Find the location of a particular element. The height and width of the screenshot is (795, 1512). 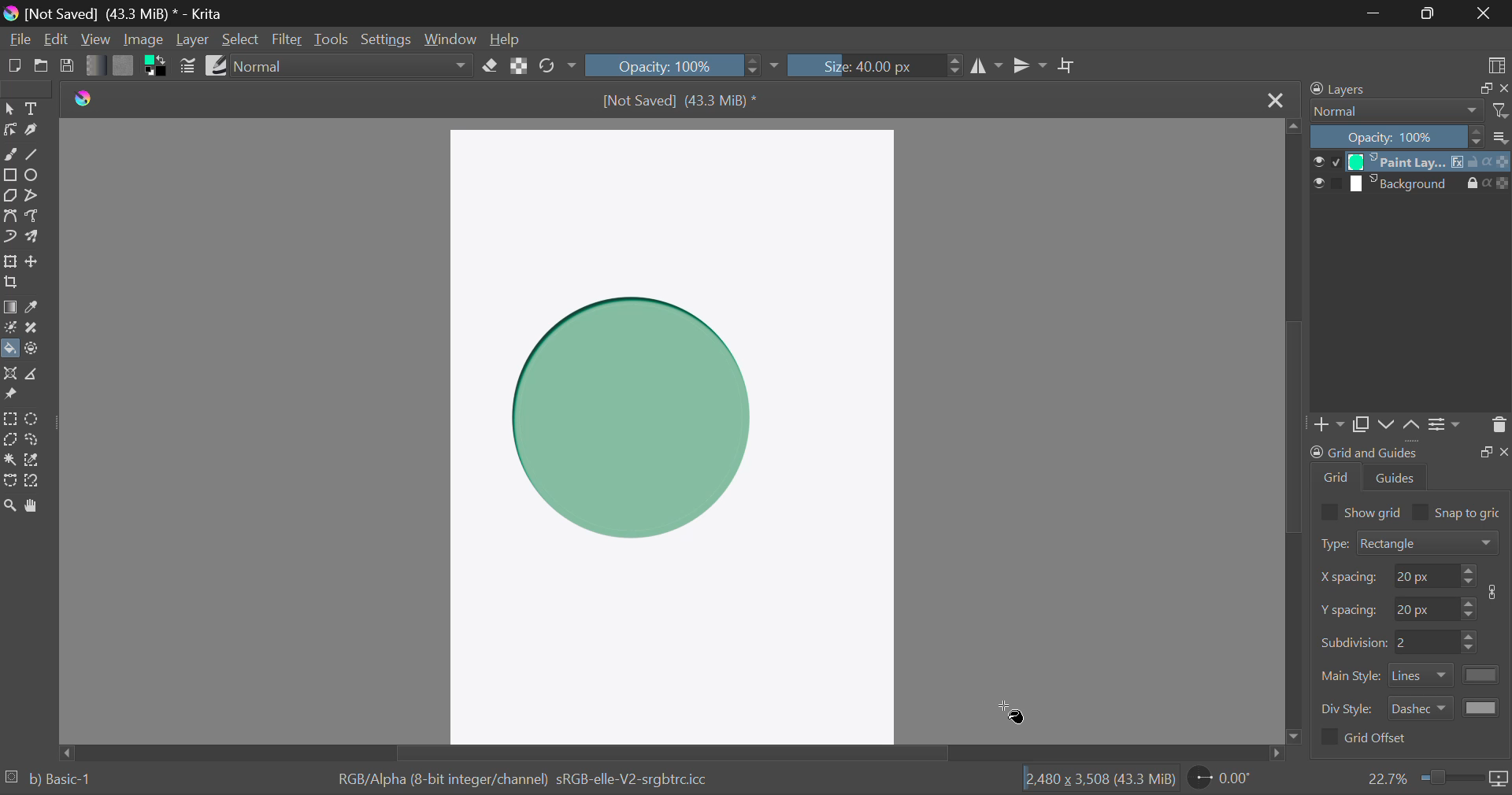

Scroll Bar is located at coordinates (680, 753).